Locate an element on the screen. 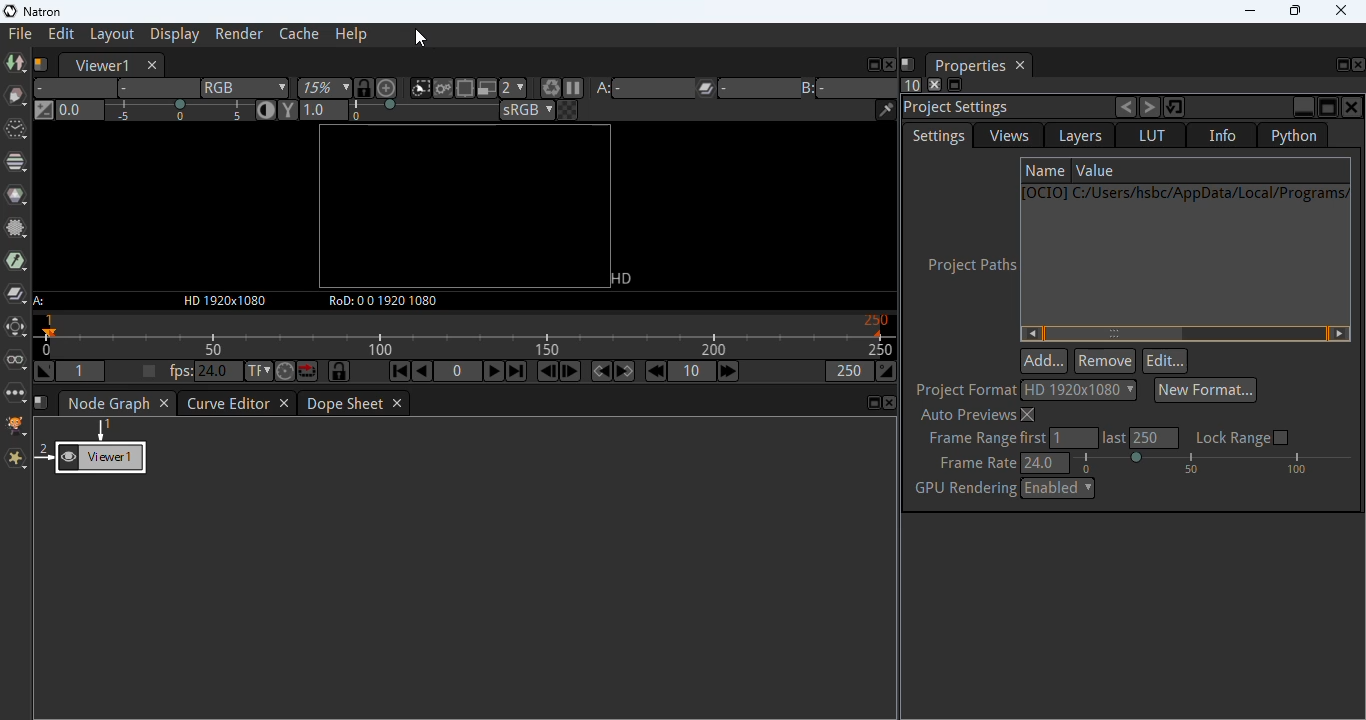 Image resolution: width=1366 pixels, height=720 pixels. GPU rendering enabled is located at coordinates (965, 488).